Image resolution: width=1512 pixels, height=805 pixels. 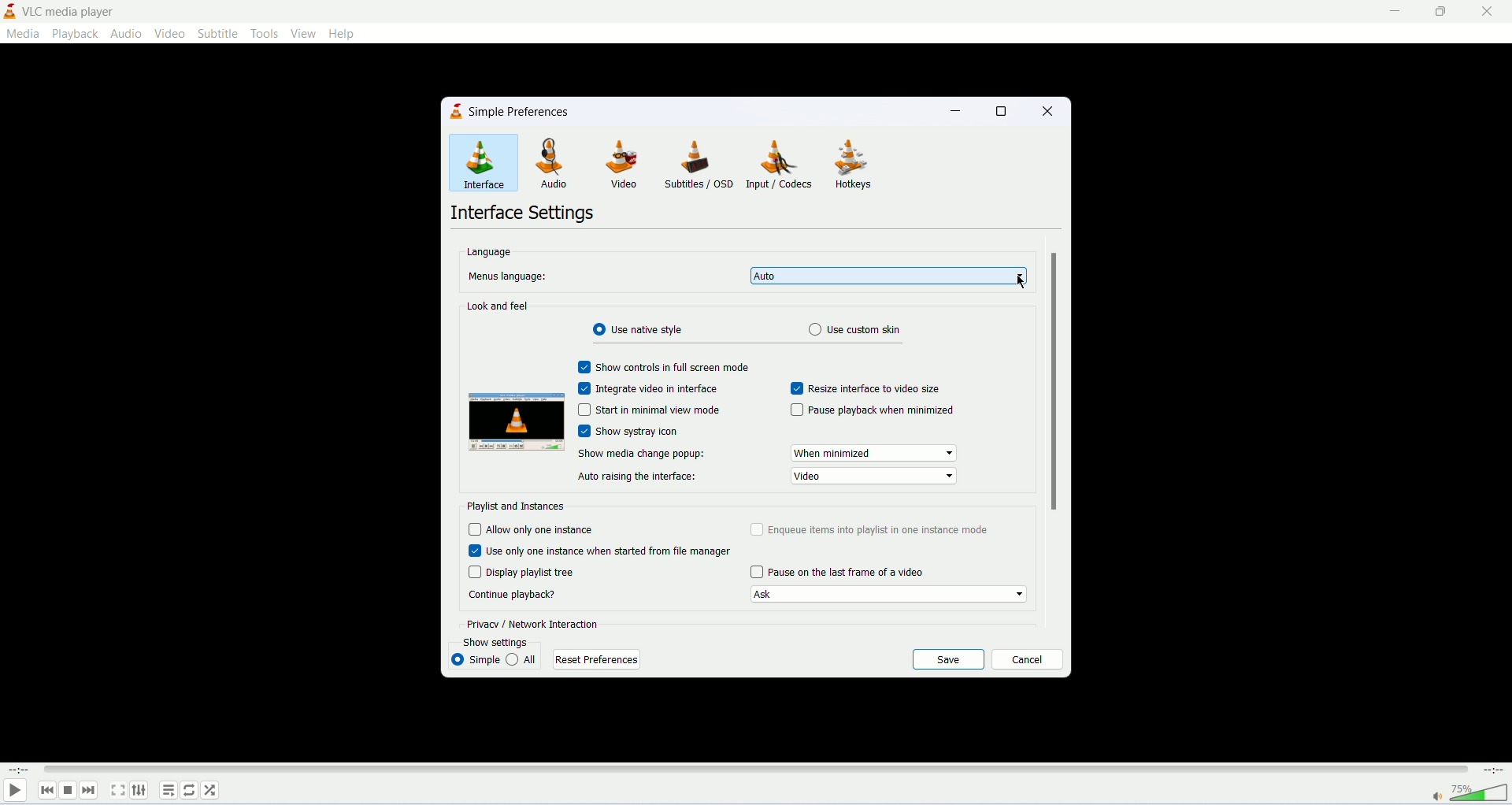 I want to click on When minimized, so click(x=874, y=452).